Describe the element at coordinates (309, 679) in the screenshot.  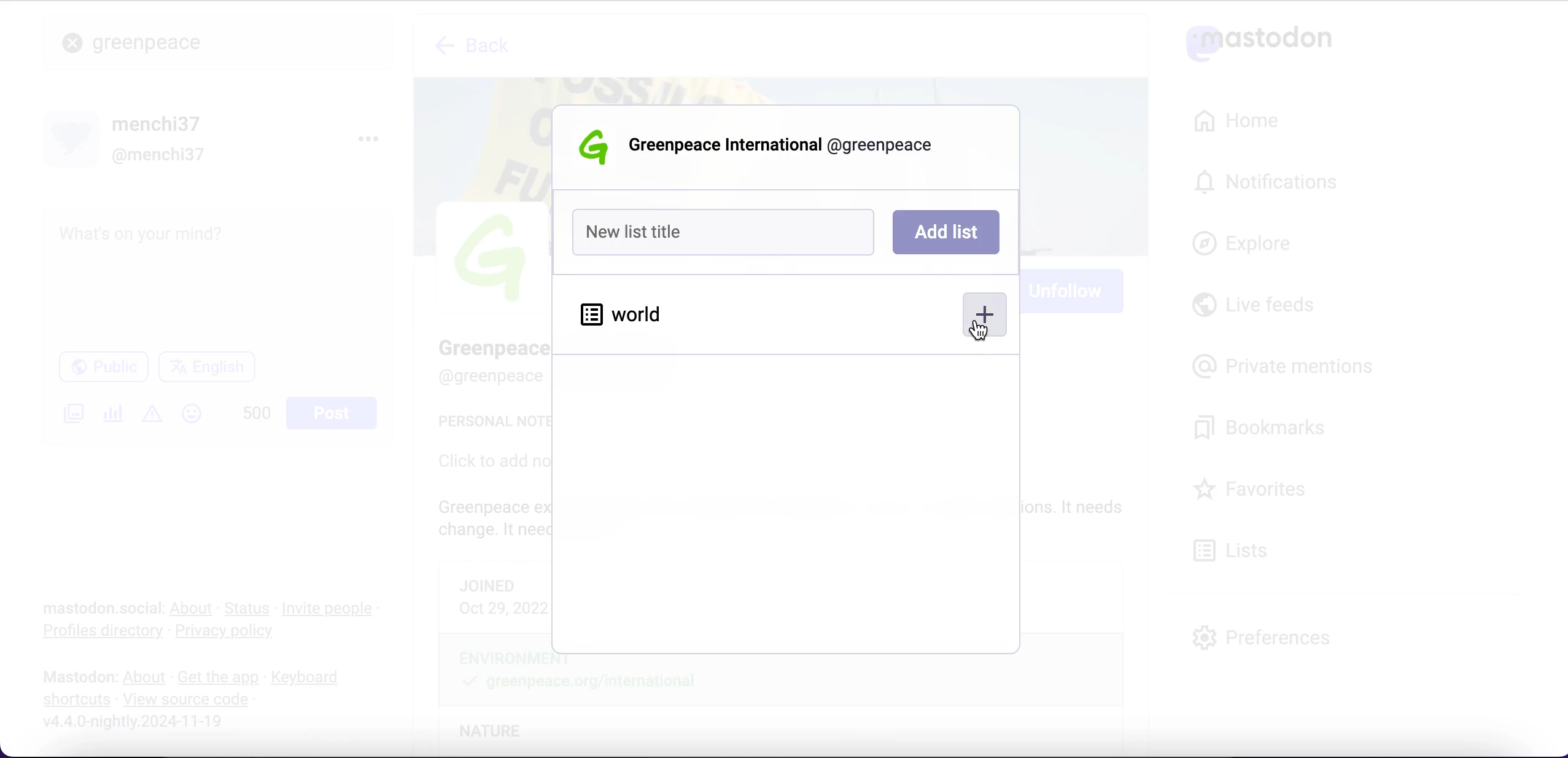
I see `keyboard` at that location.